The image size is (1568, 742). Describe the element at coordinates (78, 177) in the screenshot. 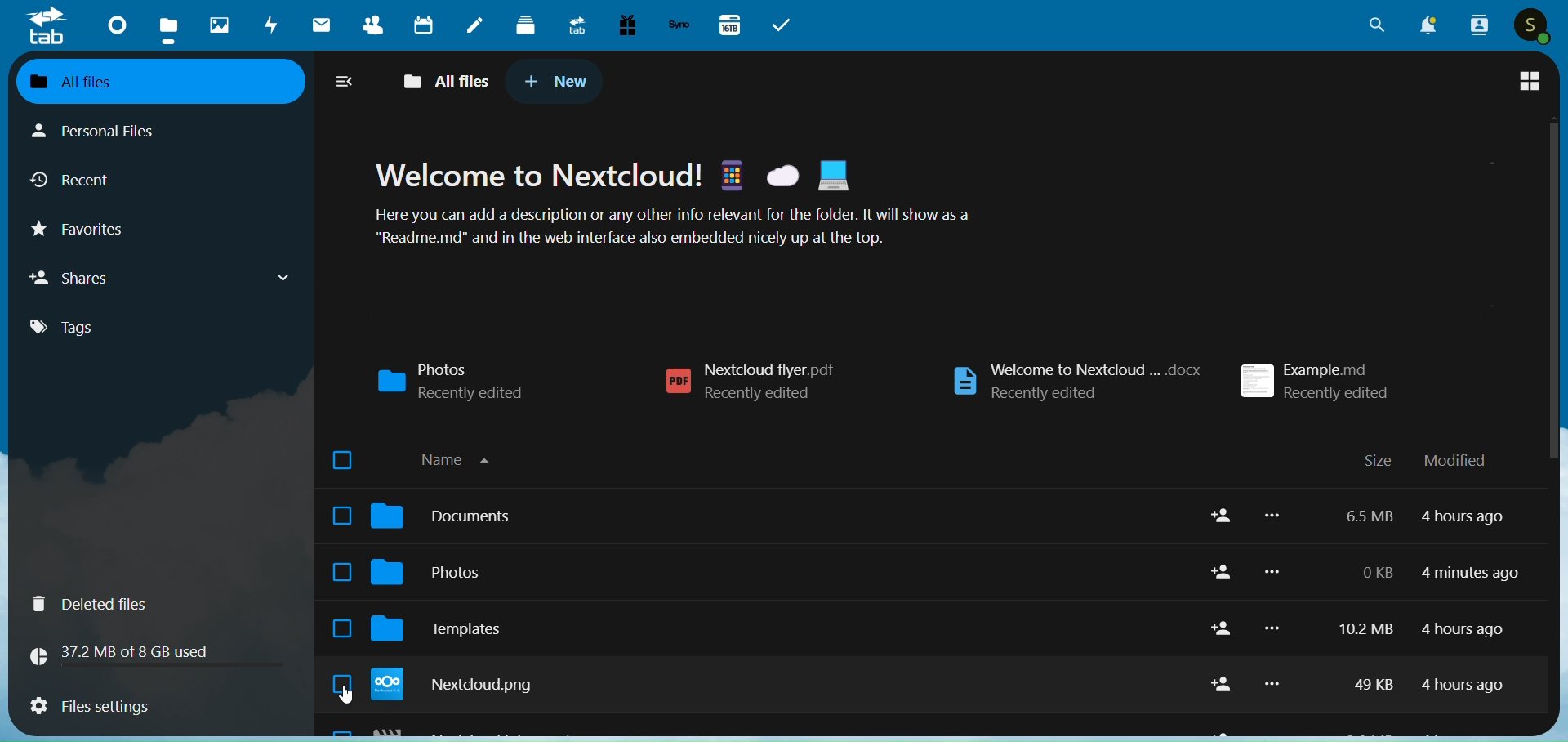

I see `recent` at that location.